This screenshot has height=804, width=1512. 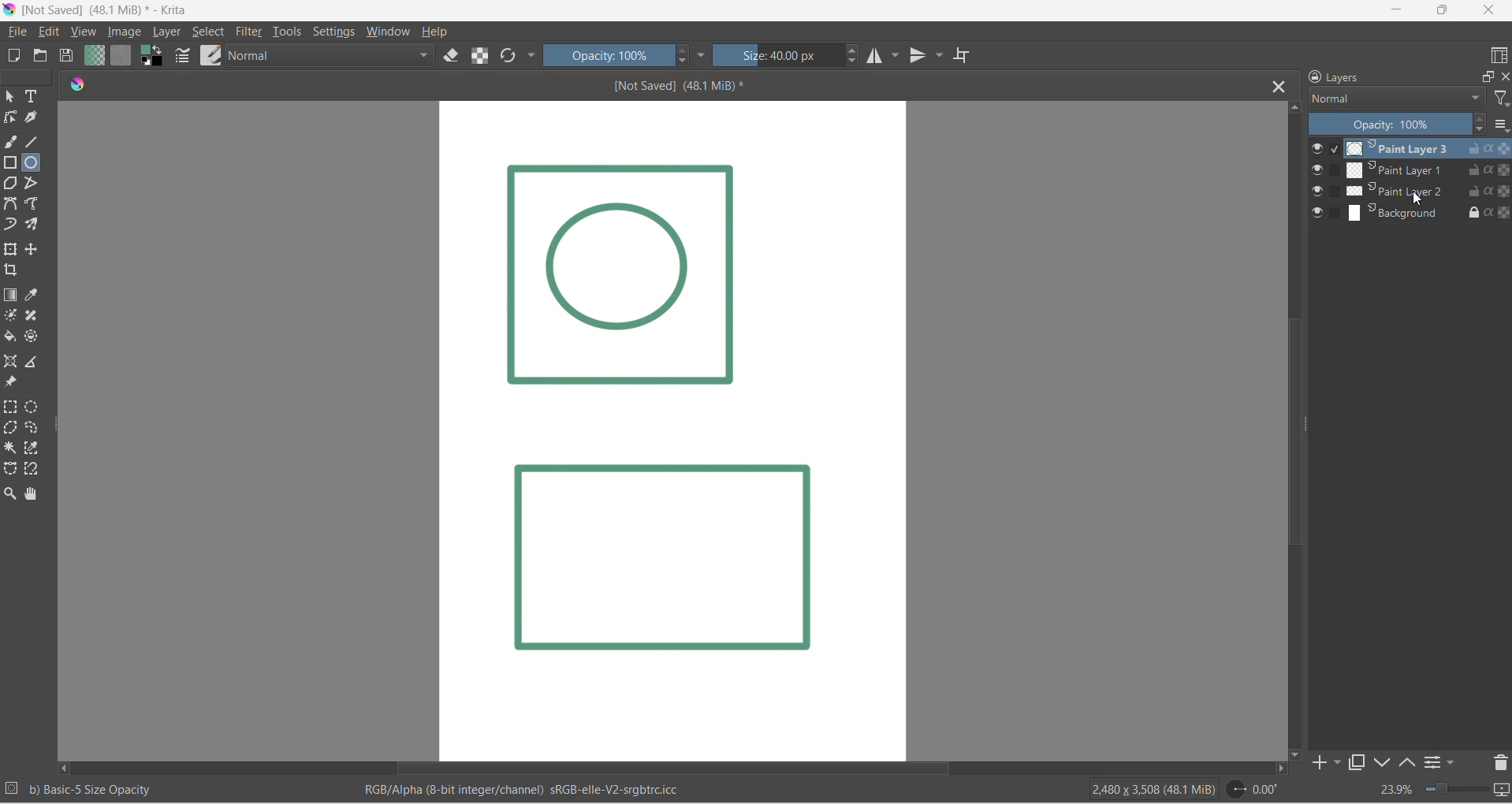 I want to click on visibilty, so click(x=1316, y=191).